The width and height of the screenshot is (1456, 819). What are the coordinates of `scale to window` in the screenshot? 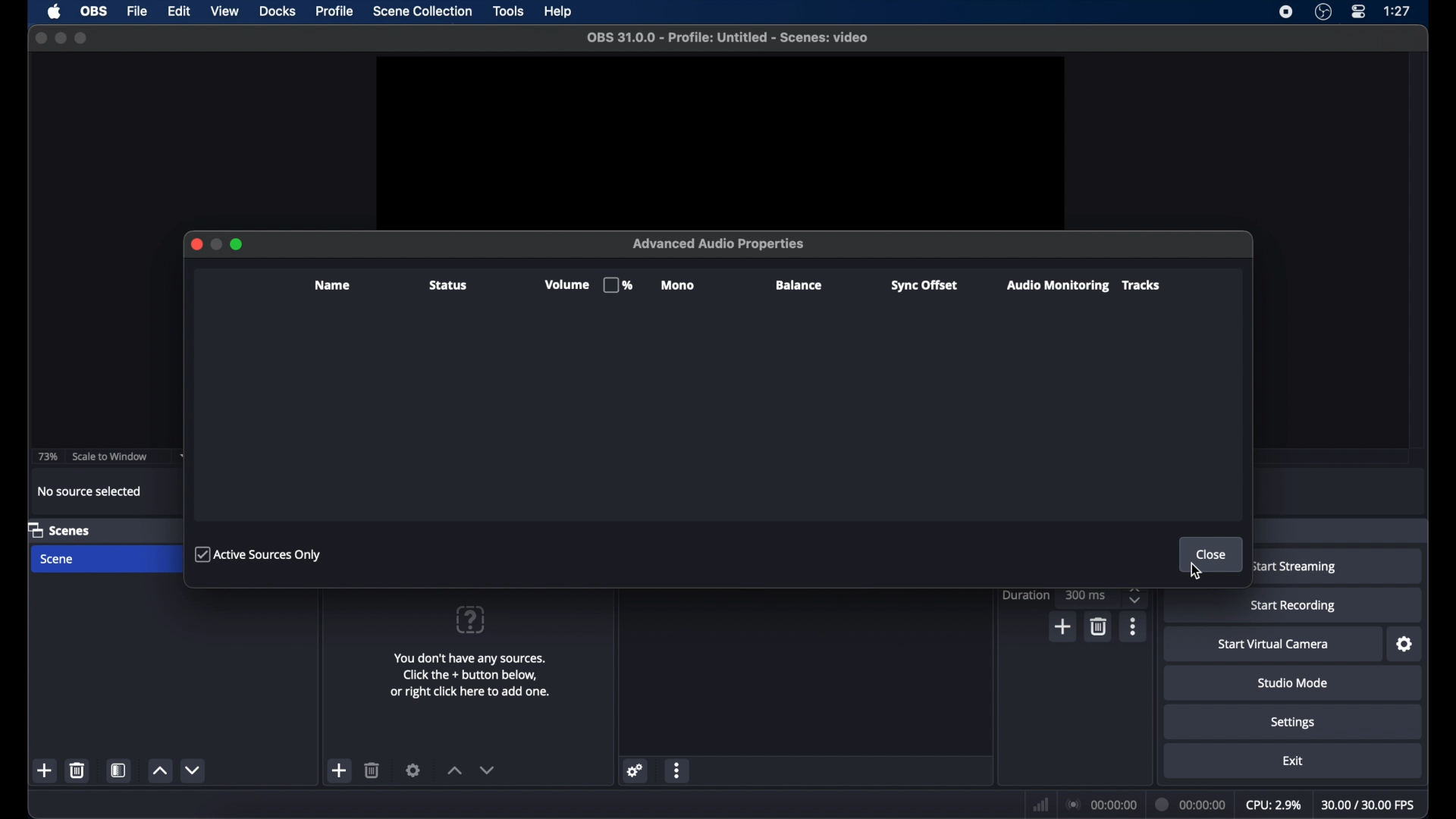 It's located at (112, 457).